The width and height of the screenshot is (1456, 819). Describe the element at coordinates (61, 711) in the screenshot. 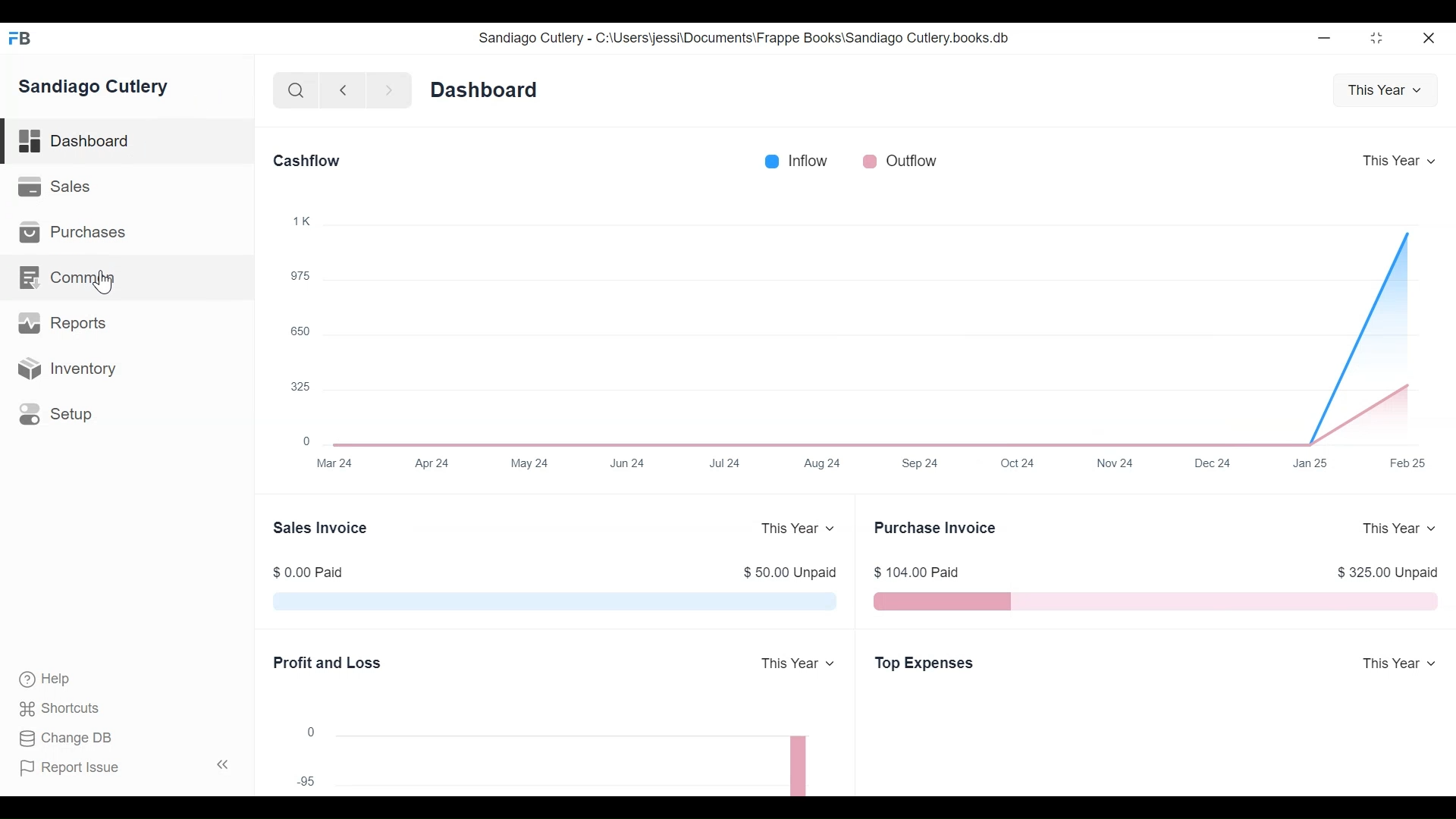

I see `Shortcuts` at that location.